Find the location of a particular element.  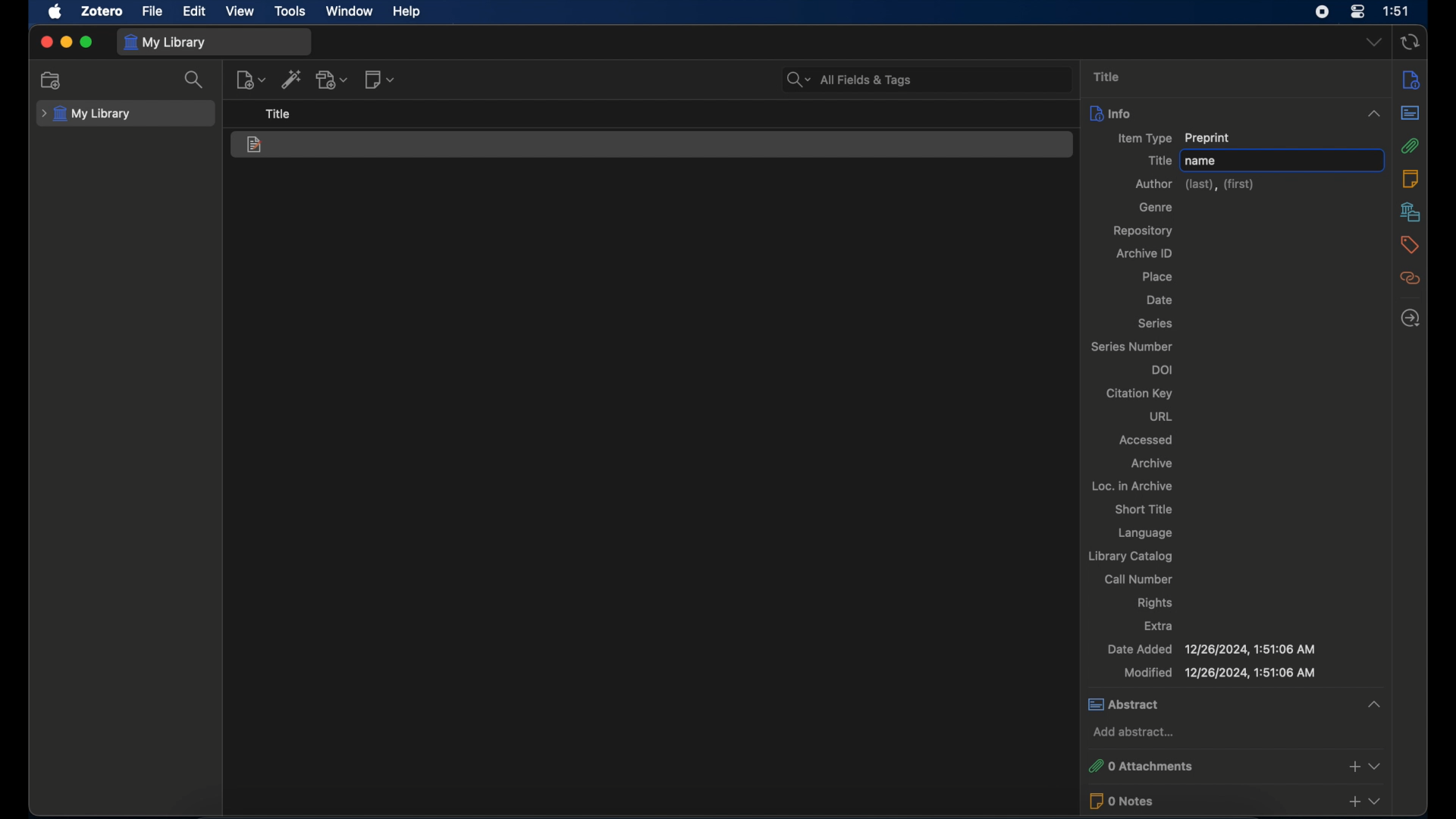

window is located at coordinates (350, 11).